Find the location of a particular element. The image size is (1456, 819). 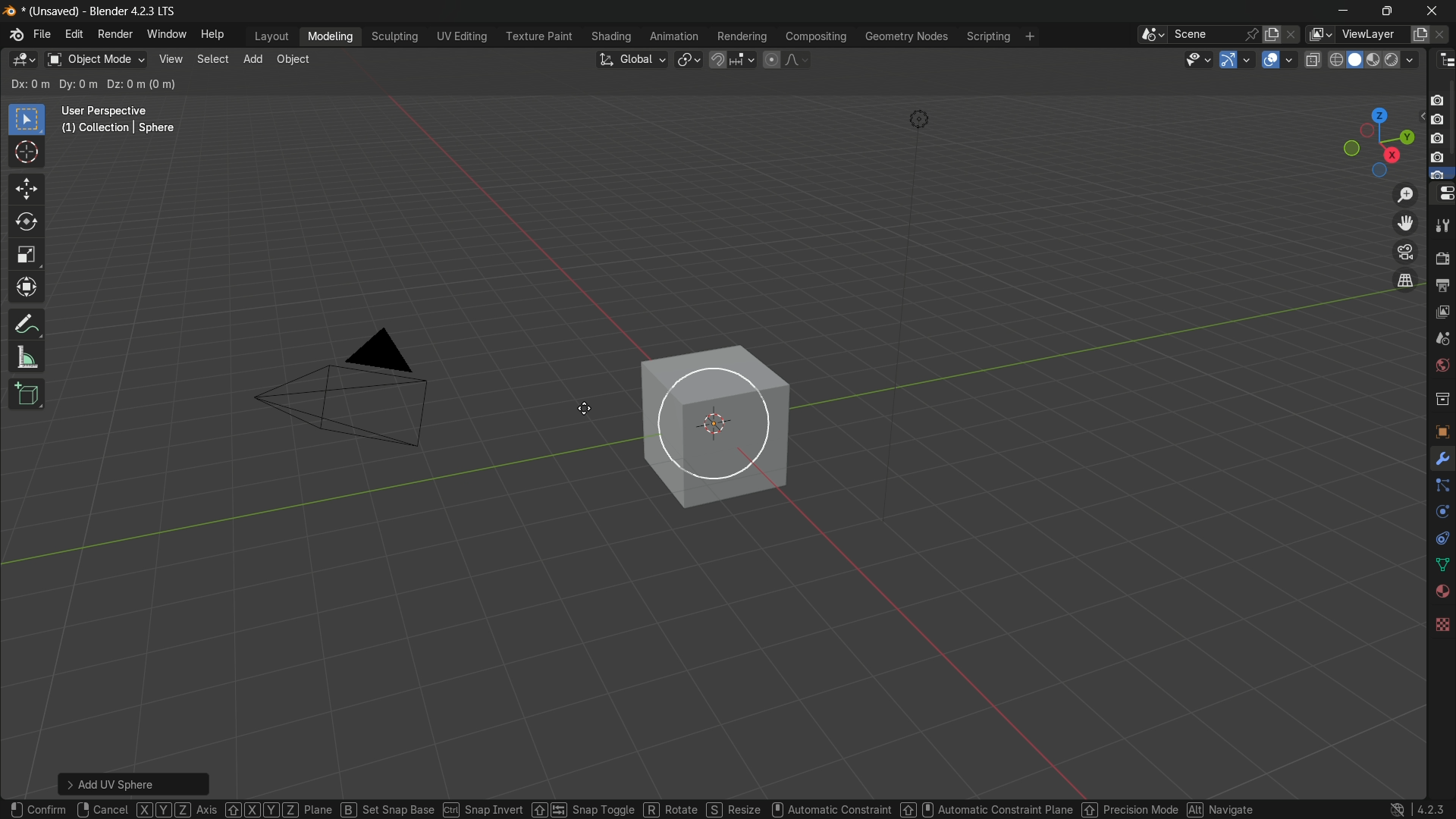

view layer name is located at coordinates (1372, 34).